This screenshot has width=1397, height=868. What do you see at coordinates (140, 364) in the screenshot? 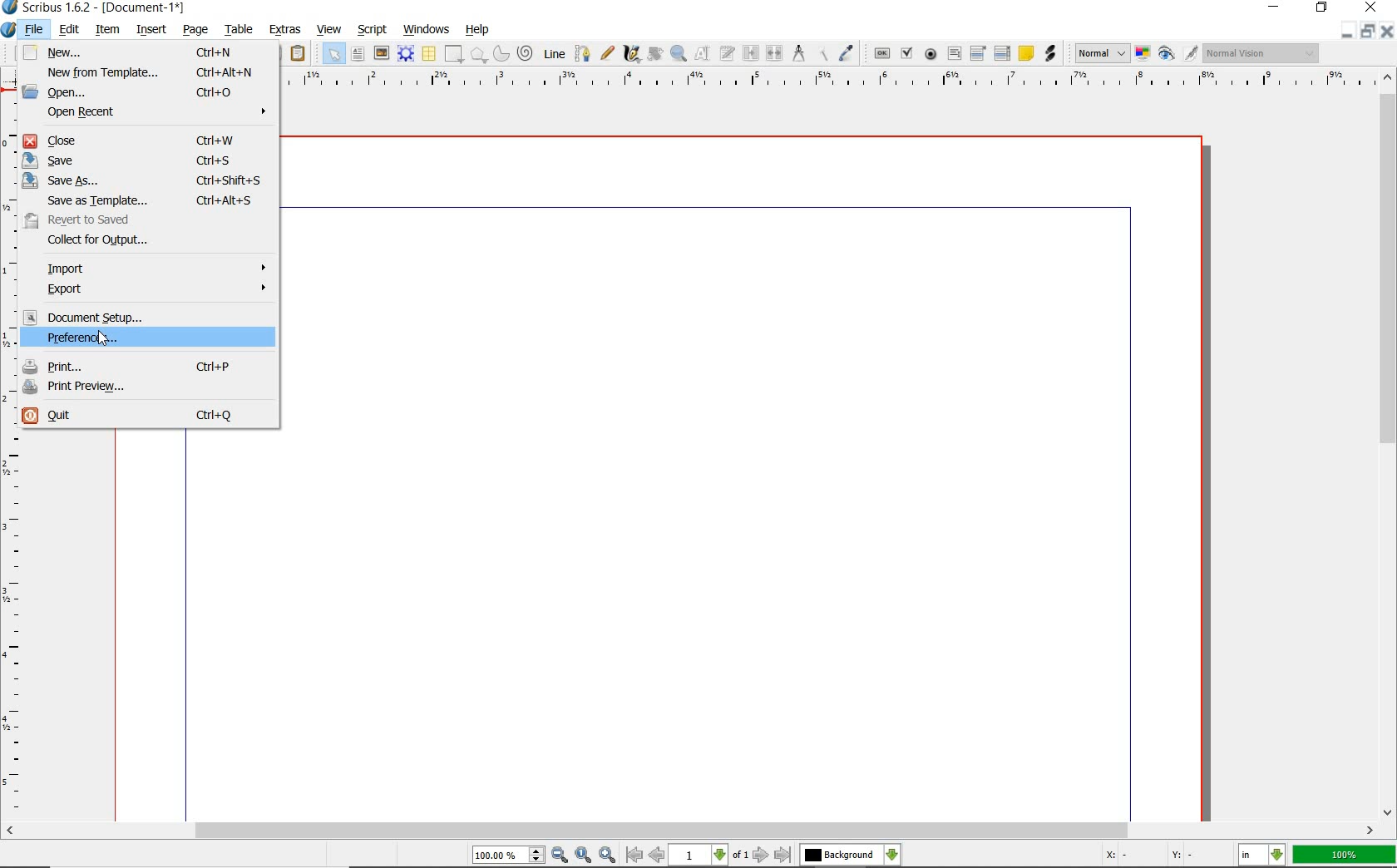
I see `PRINT` at bounding box center [140, 364].